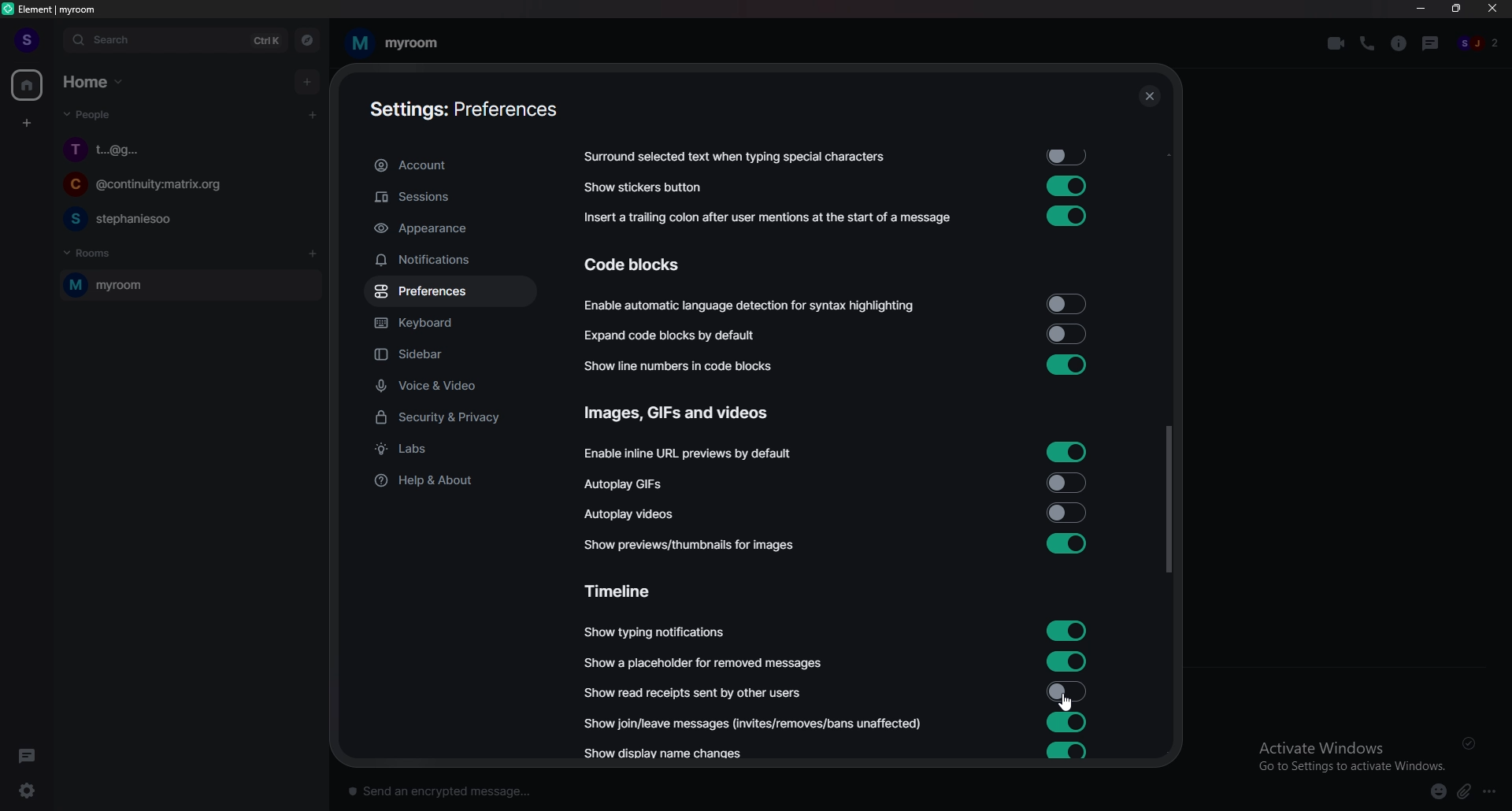  Describe the element at coordinates (695, 692) in the screenshot. I see `show read rceipts send by other users` at that location.